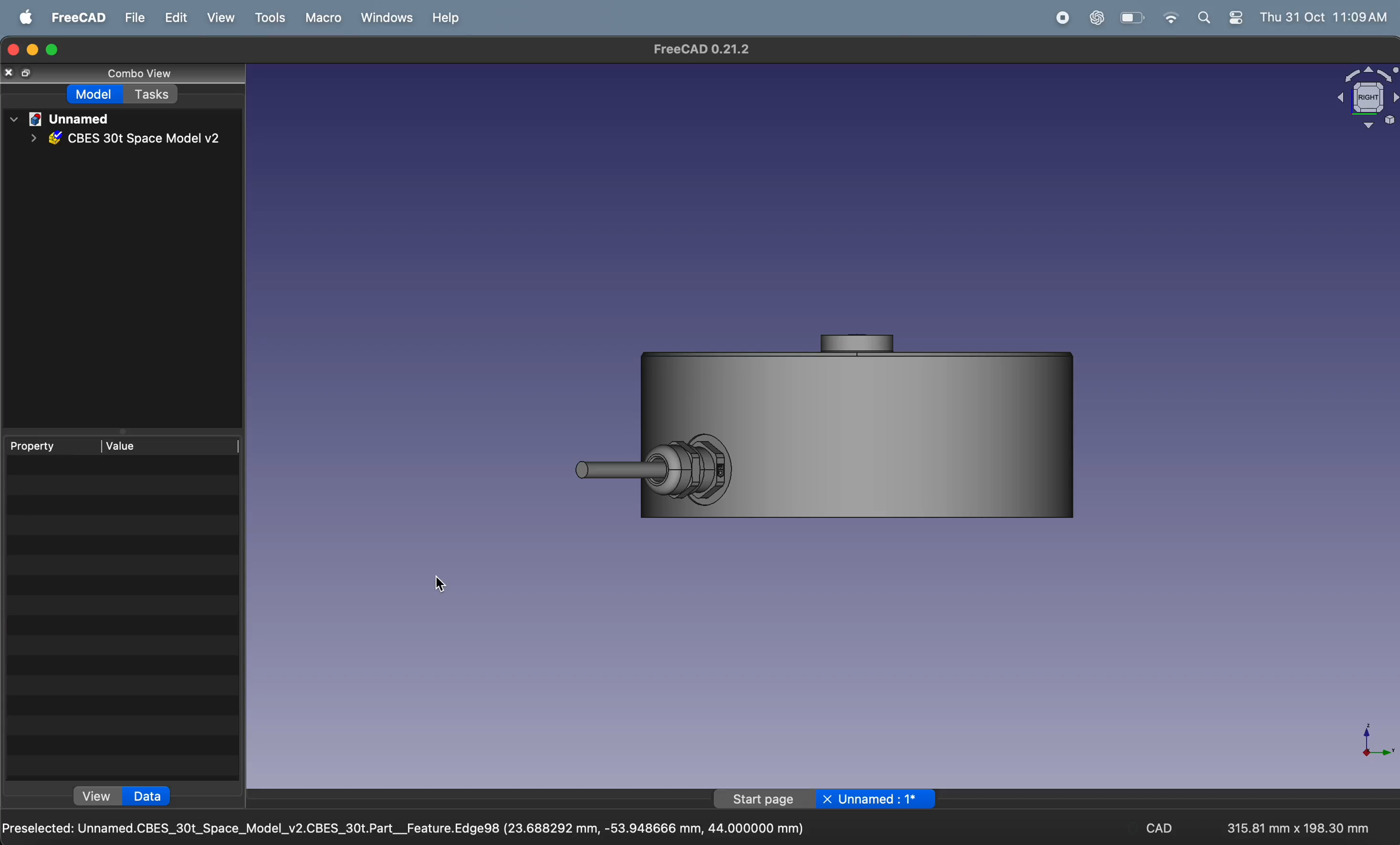 The image size is (1400, 845). What do you see at coordinates (881, 801) in the screenshot?
I see `Unnamed : 1*` at bounding box center [881, 801].